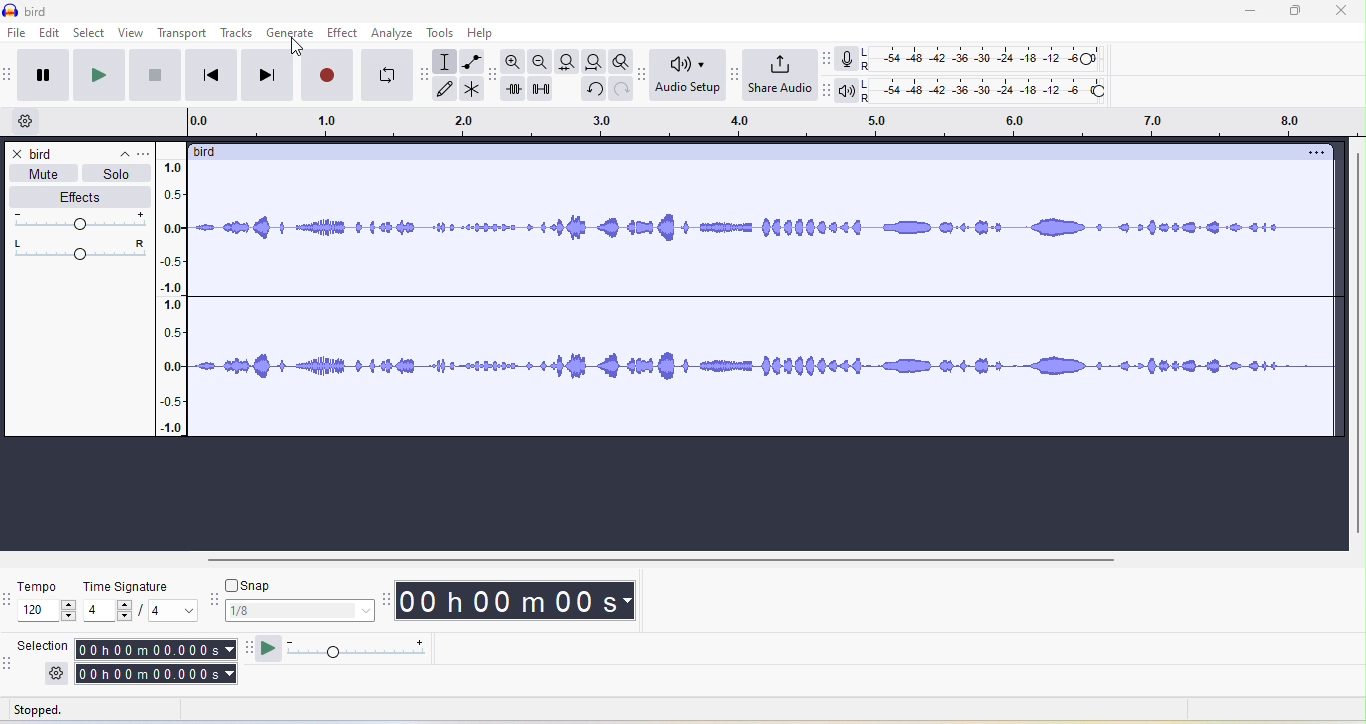 Image resolution: width=1366 pixels, height=724 pixels. Describe the element at coordinates (359, 649) in the screenshot. I see `play at speed` at that location.